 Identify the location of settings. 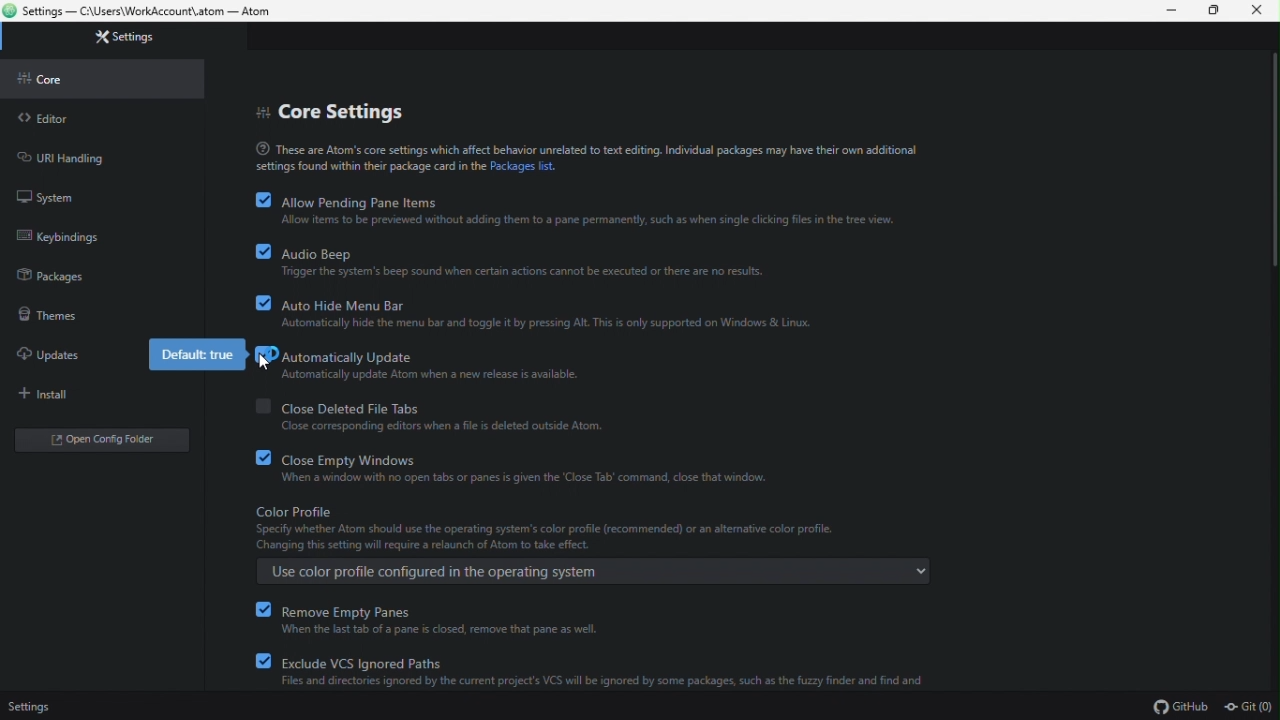
(124, 35).